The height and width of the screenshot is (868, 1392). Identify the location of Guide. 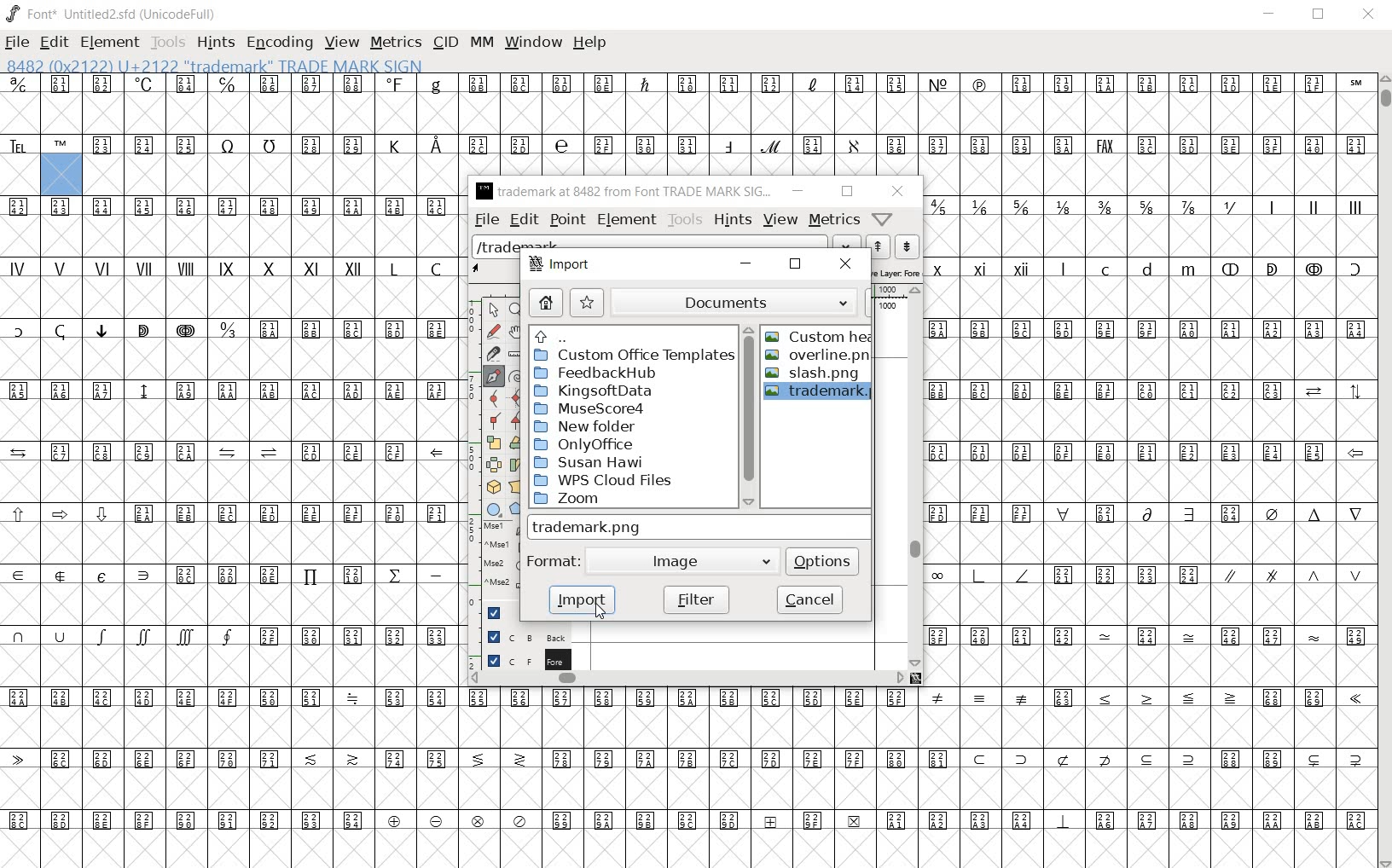
(495, 610).